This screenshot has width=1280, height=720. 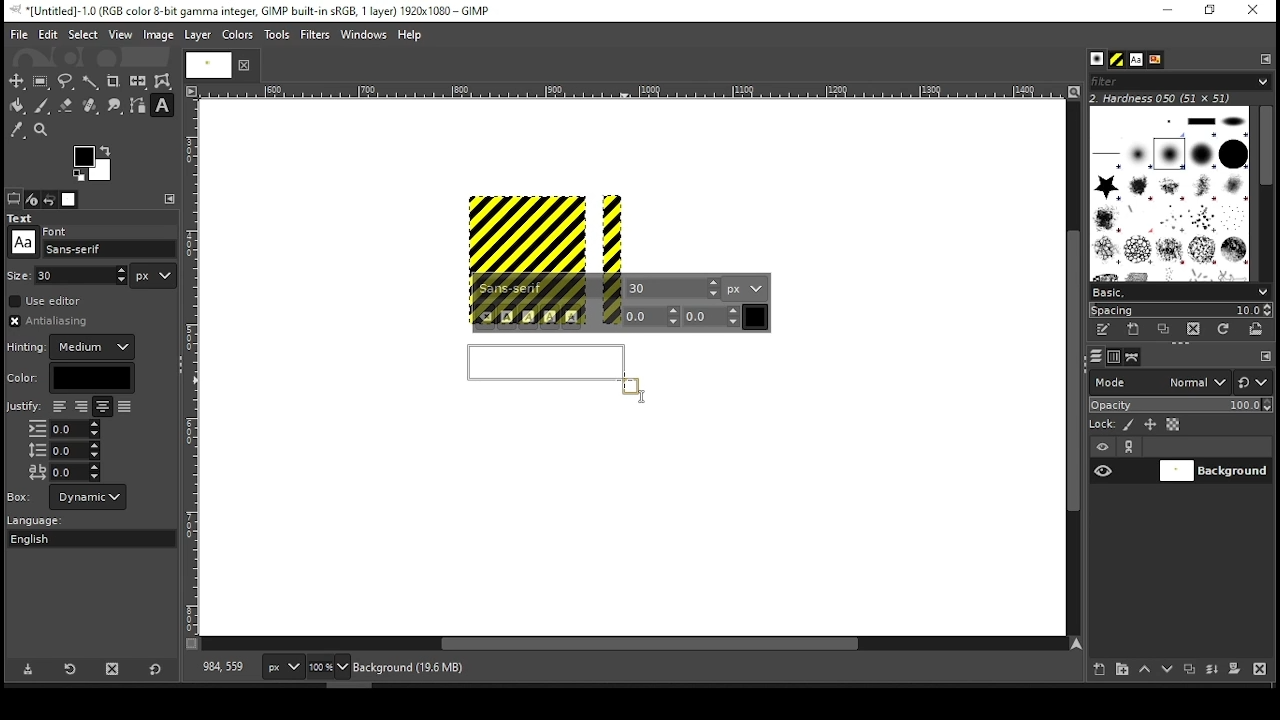 I want to click on crop  tool, so click(x=113, y=82).